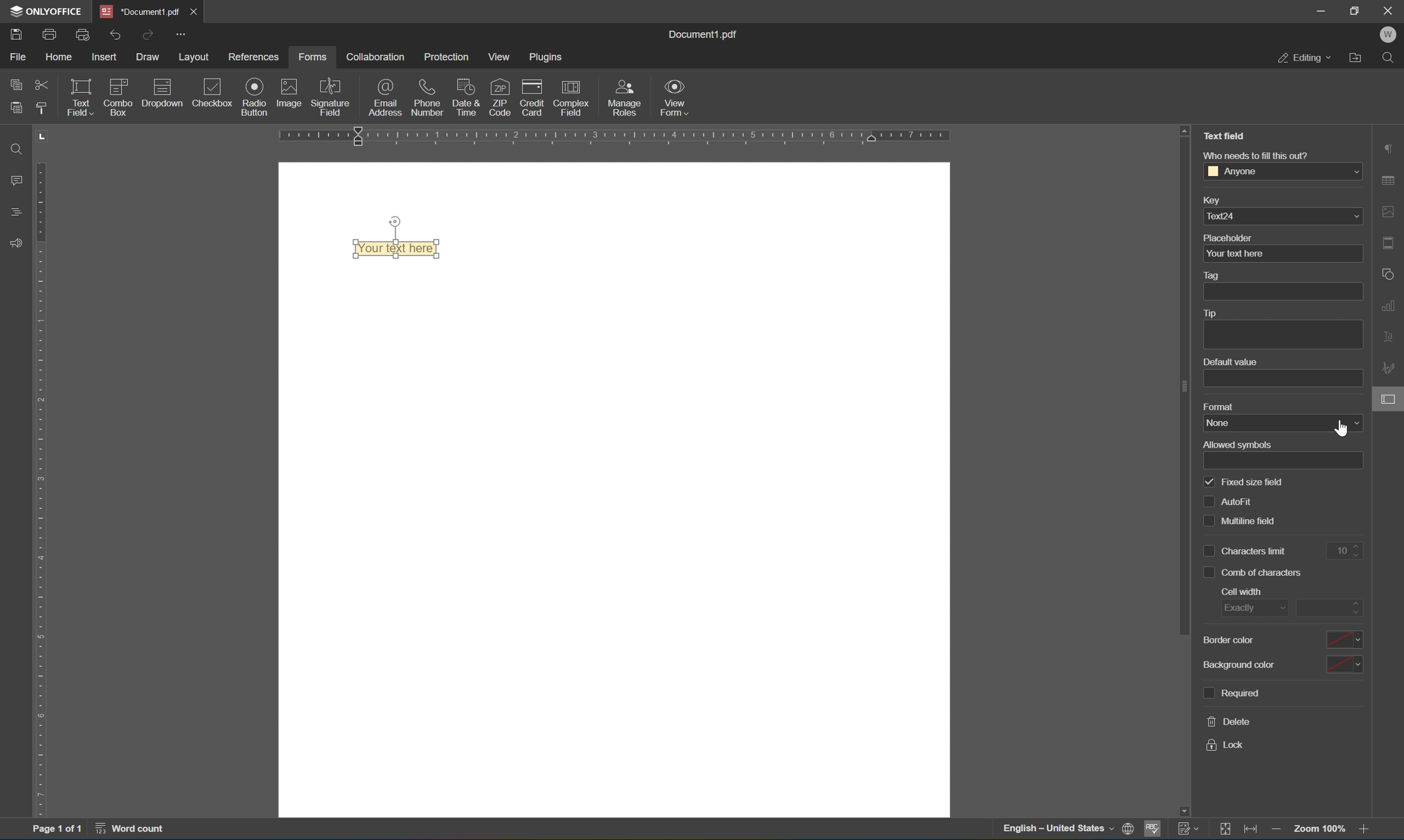 This screenshot has height=840, width=1404. I want to click on copy, so click(16, 82).